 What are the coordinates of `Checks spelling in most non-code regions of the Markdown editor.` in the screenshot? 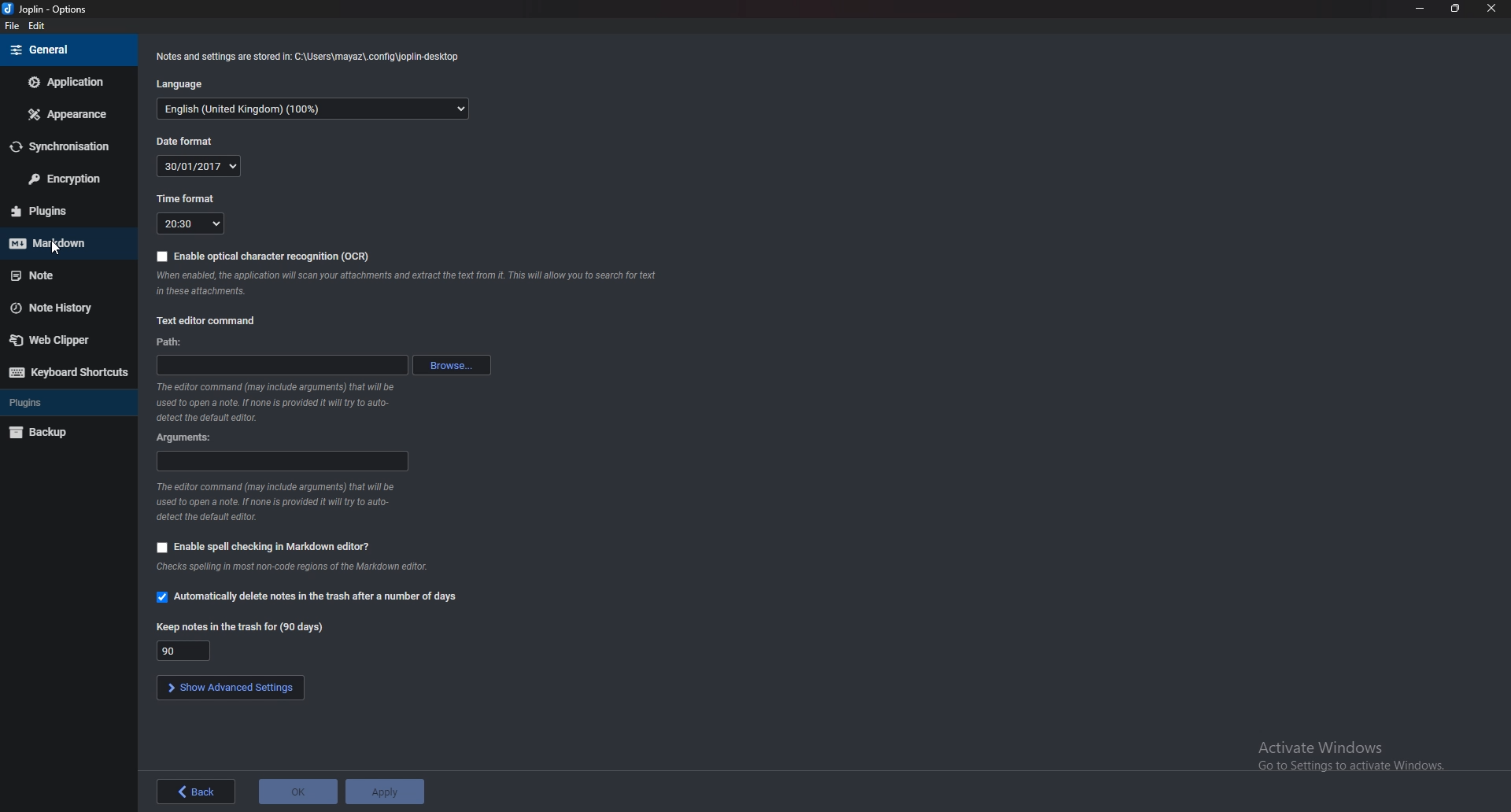 It's located at (292, 569).